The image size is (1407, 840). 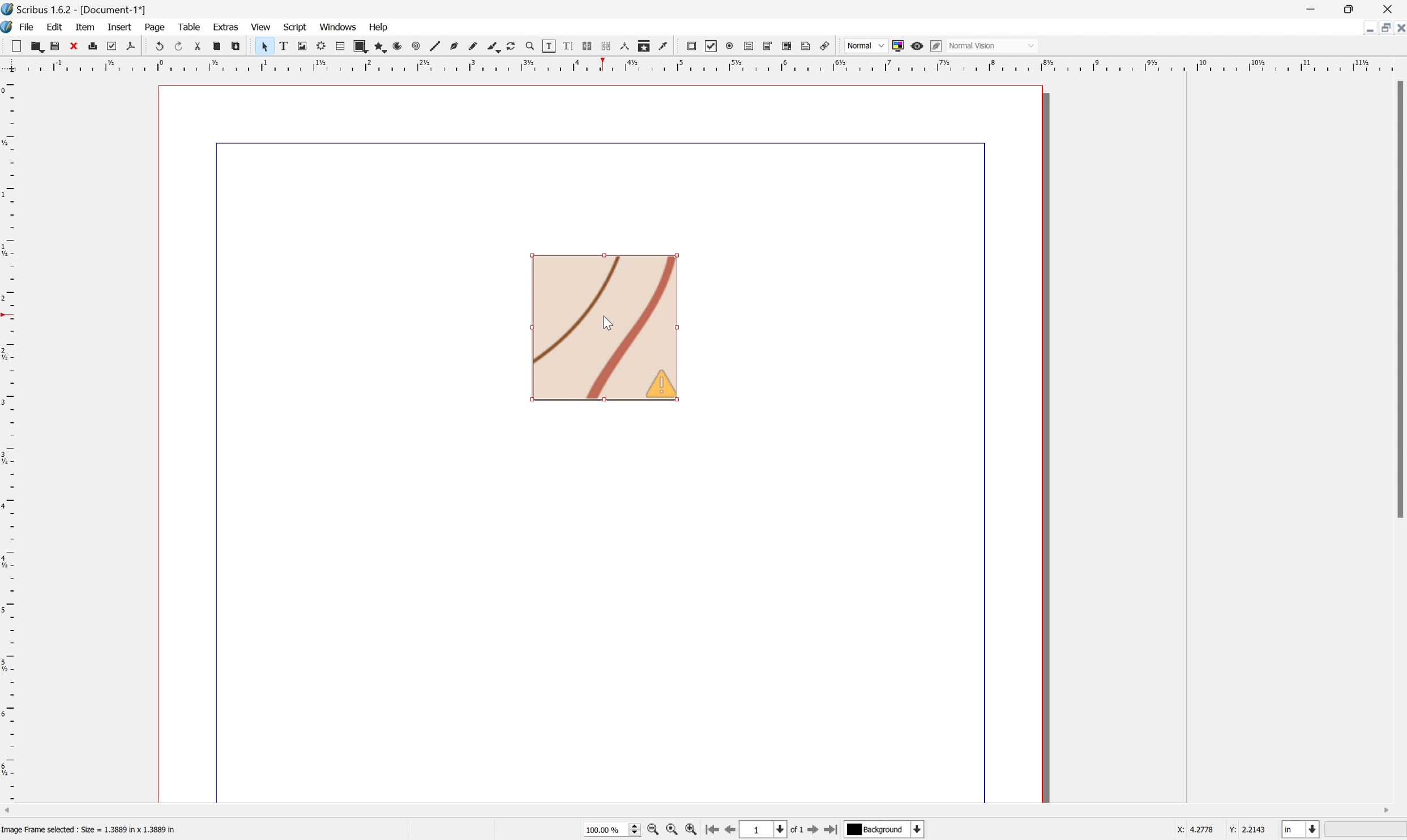 I want to click on Minimize, so click(x=1311, y=8).